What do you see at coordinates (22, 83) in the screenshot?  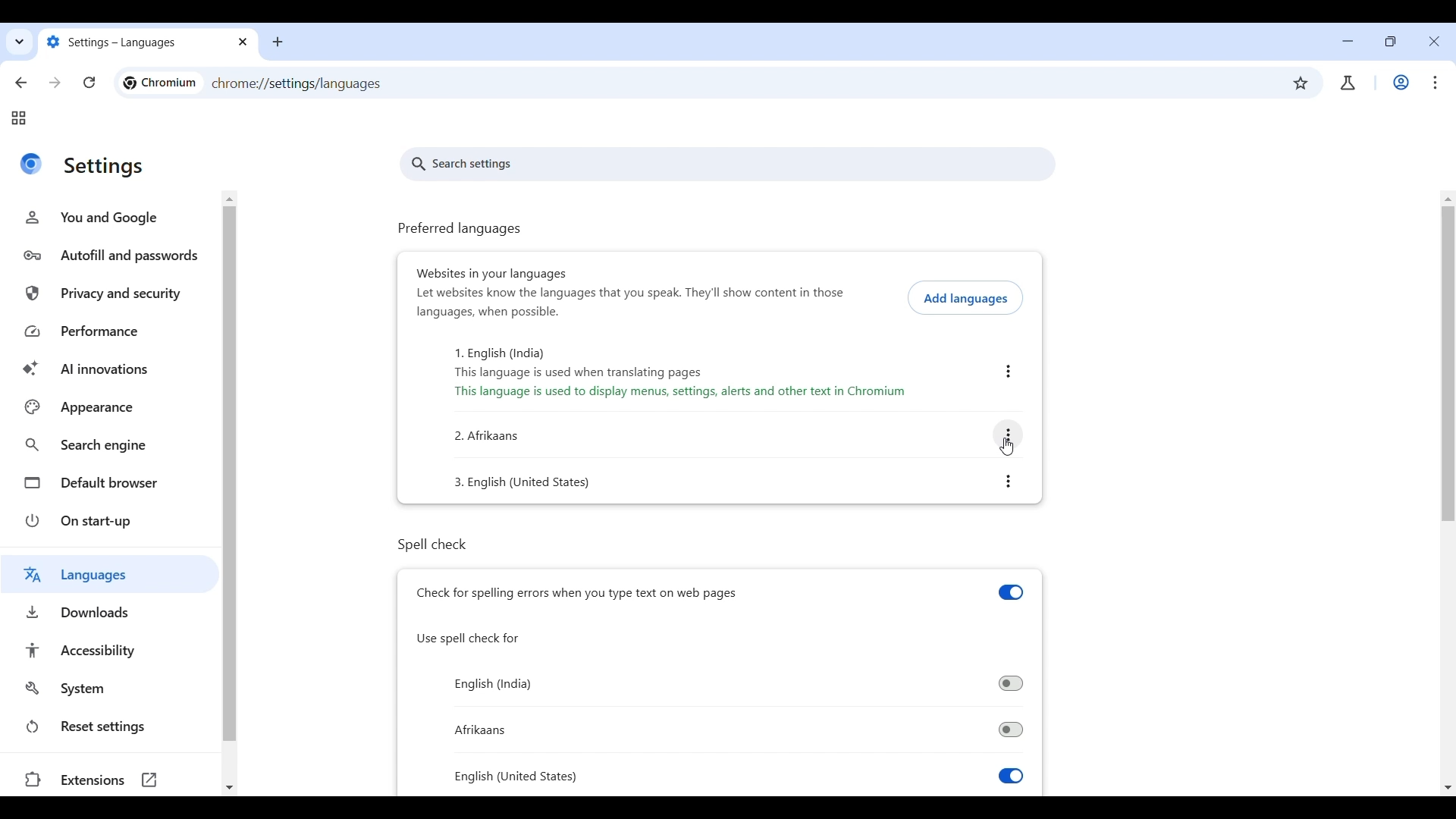 I see `Go back` at bounding box center [22, 83].